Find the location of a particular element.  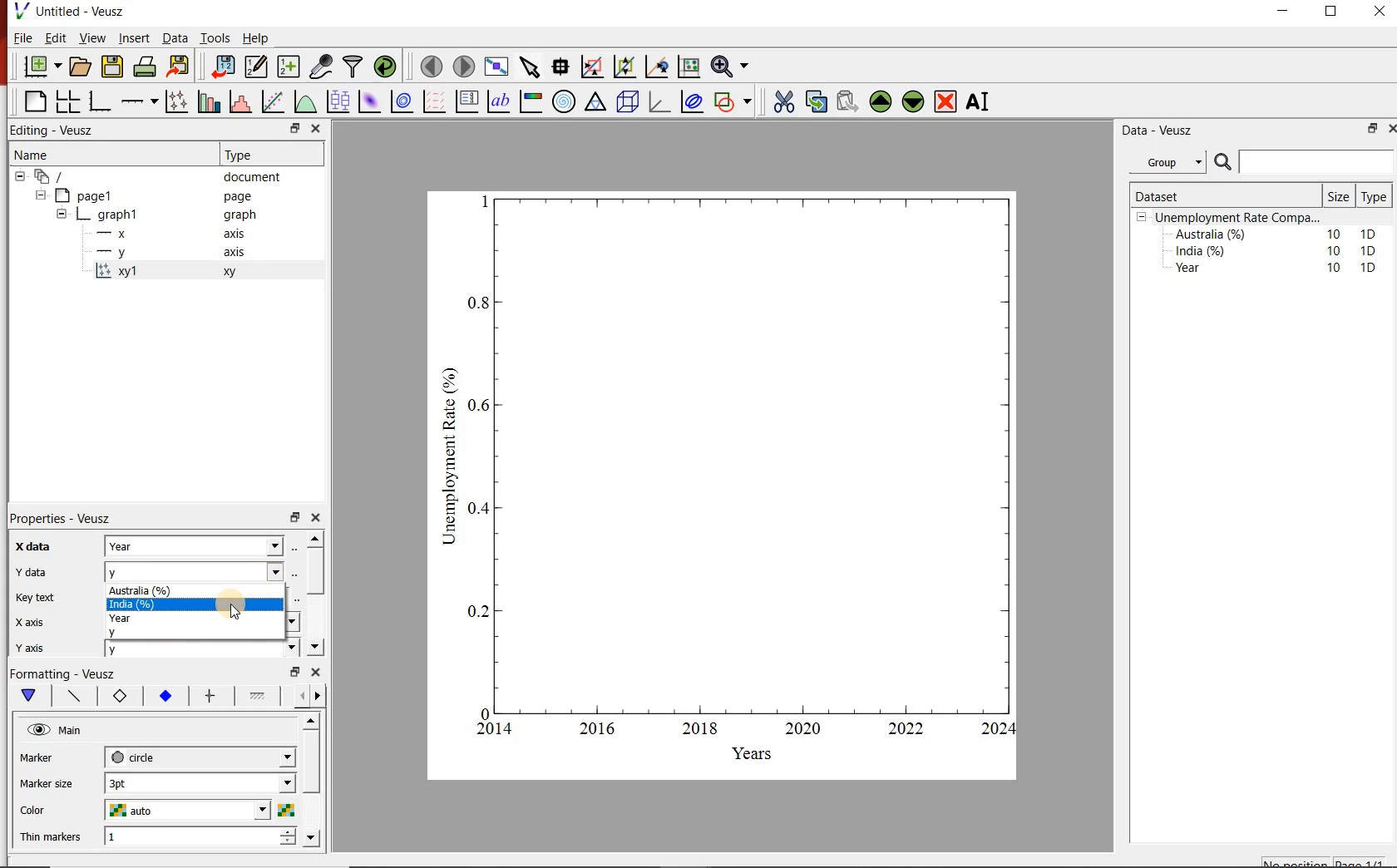

Dataset is located at coordinates (1196, 196).